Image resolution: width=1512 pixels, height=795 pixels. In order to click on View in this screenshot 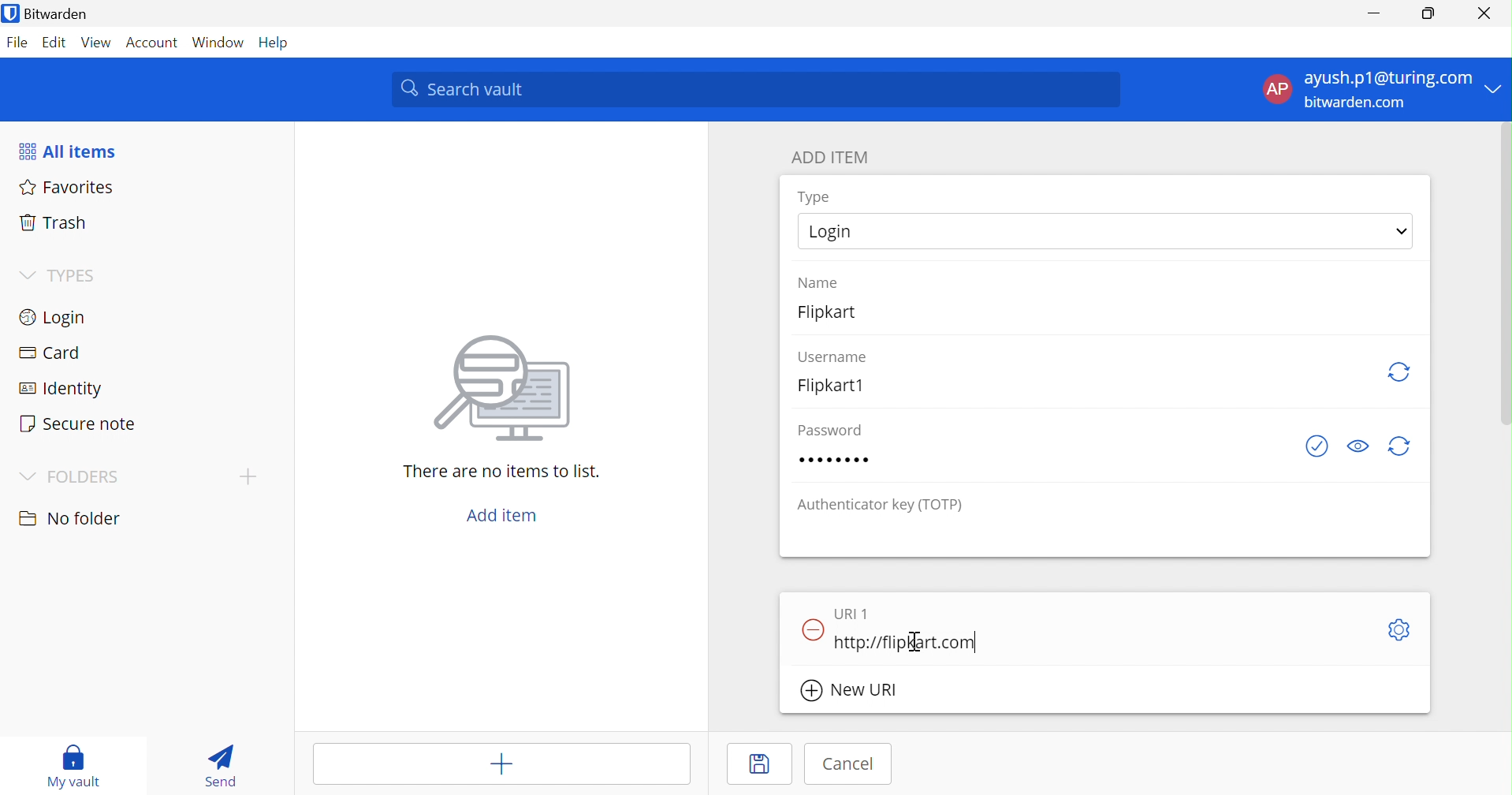, I will do `click(94, 42)`.